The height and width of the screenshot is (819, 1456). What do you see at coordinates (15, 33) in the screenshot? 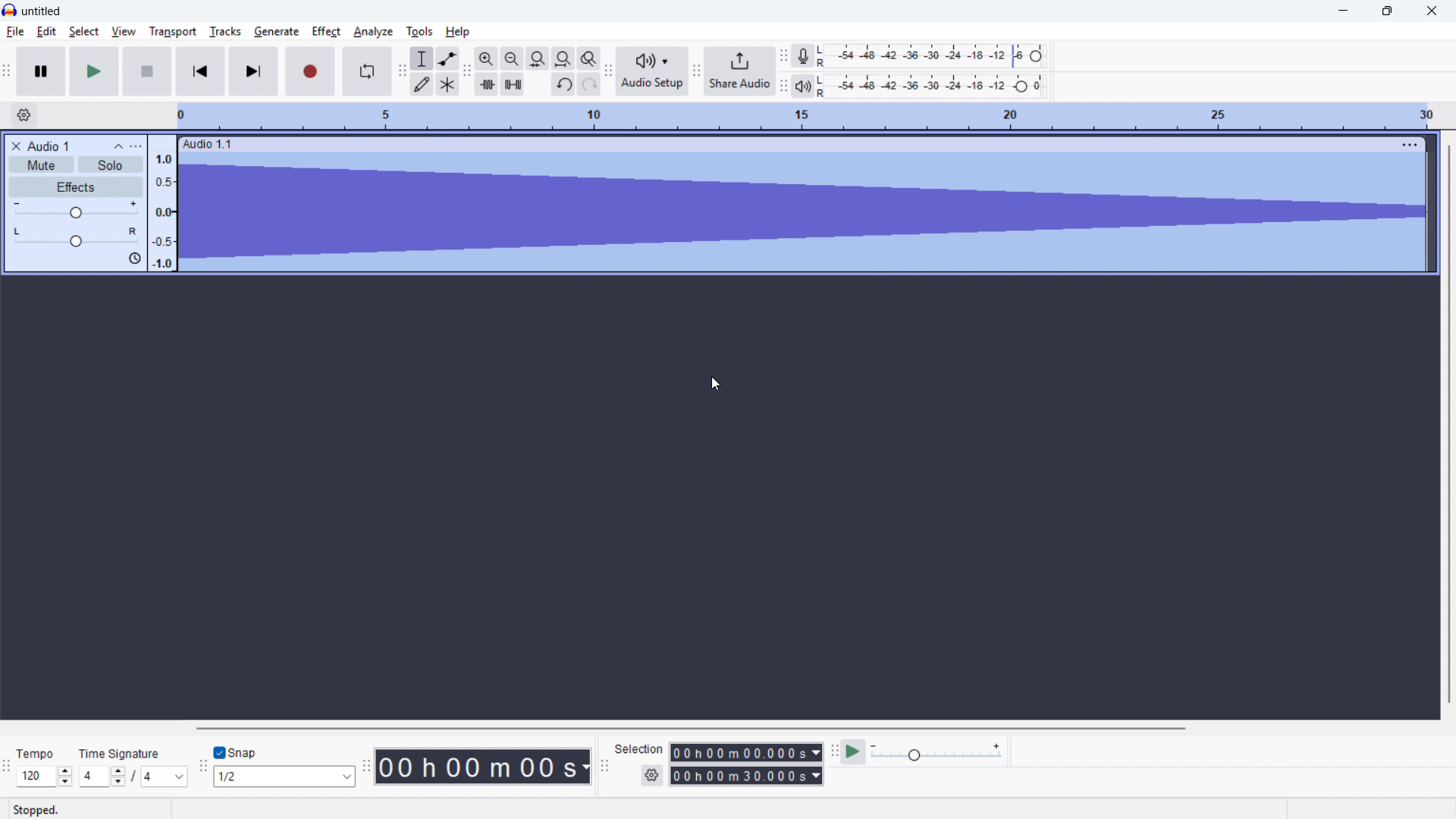
I see `File ` at bounding box center [15, 33].